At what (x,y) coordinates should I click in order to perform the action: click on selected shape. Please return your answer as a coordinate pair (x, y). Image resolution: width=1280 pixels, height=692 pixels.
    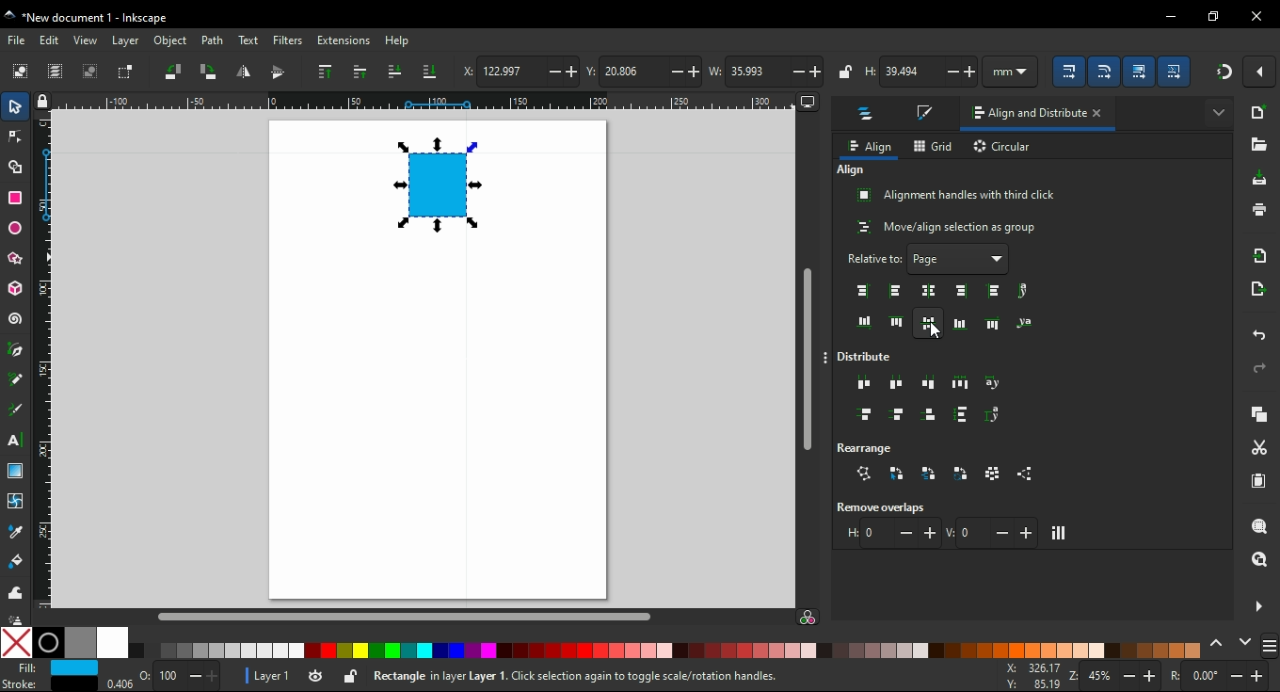
    Looking at the image, I should click on (434, 186).